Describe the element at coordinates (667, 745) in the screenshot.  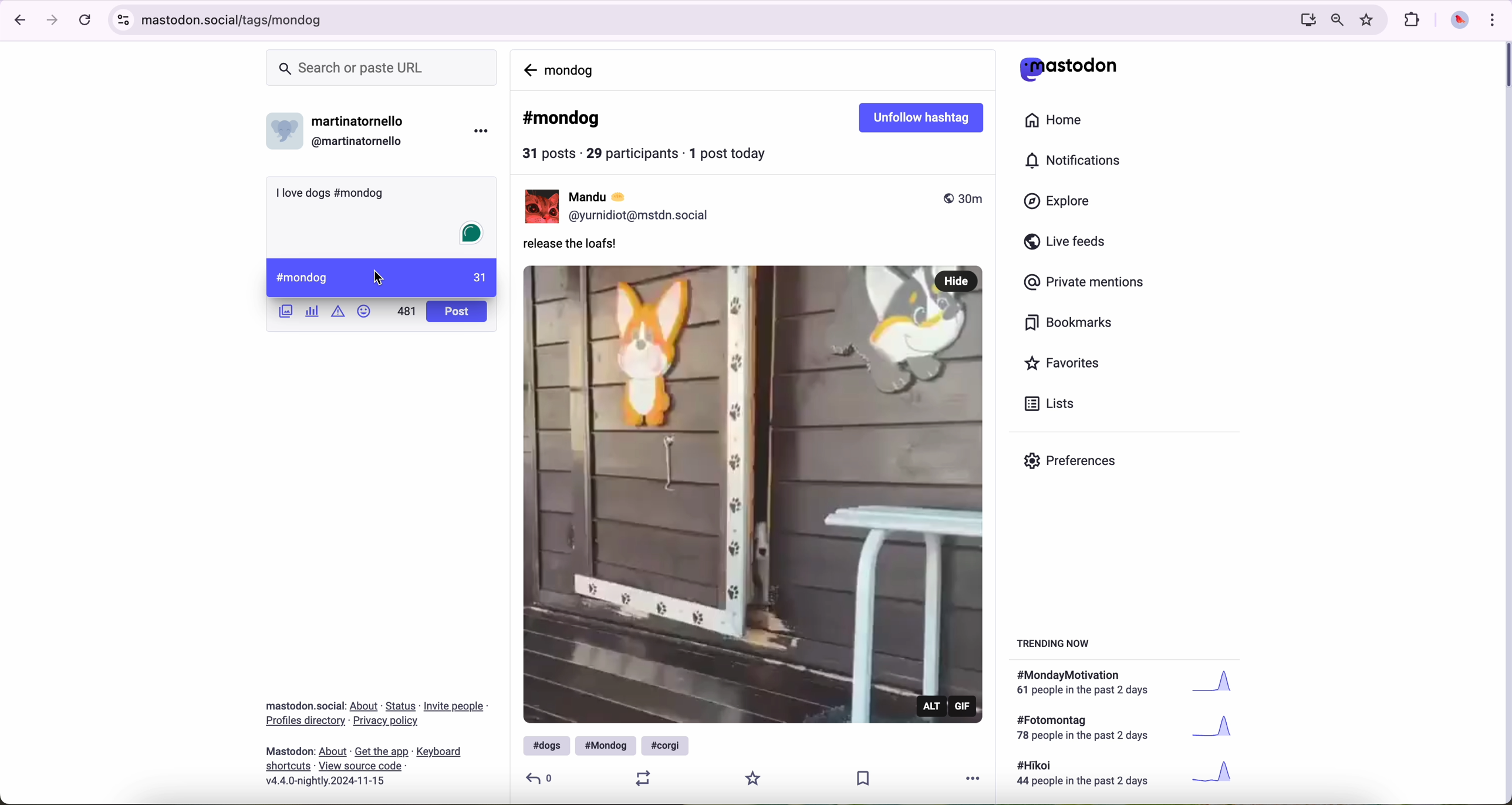
I see `#corgi` at that location.